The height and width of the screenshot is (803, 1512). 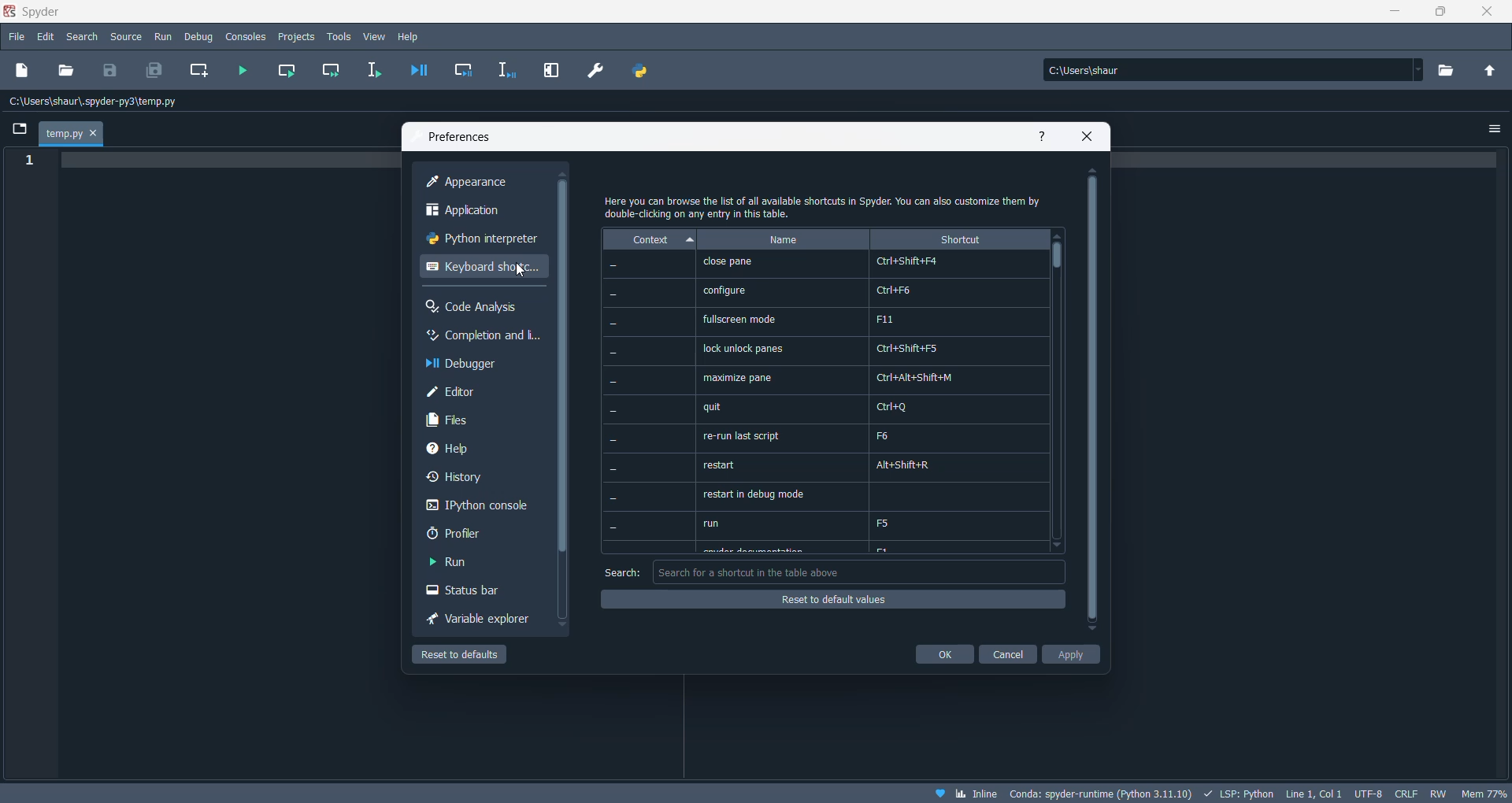 What do you see at coordinates (199, 72) in the screenshot?
I see `create new cell` at bounding box center [199, 72].